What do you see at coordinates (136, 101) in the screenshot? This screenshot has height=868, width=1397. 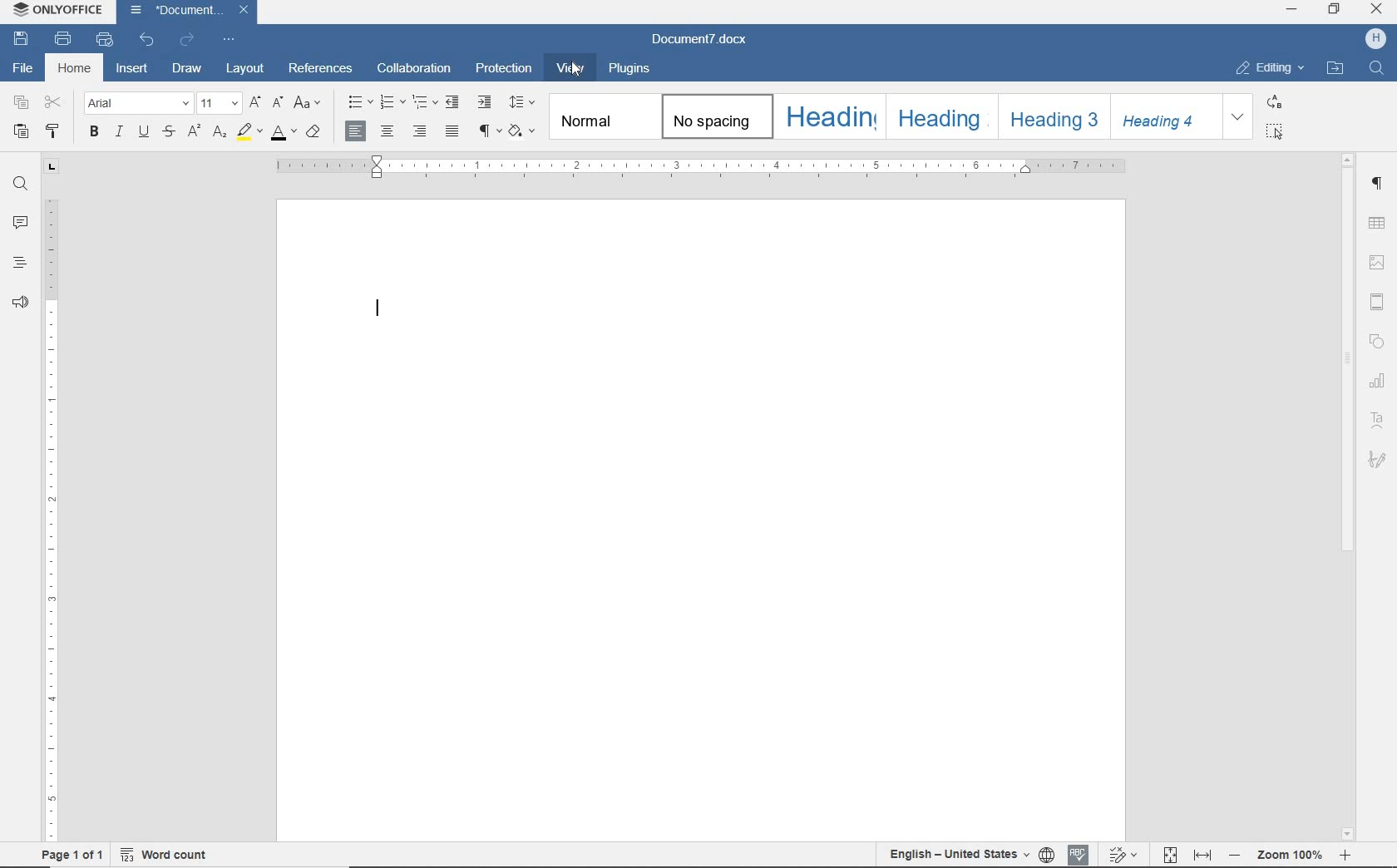 I see `FONT` at bounding box center [136, 101].